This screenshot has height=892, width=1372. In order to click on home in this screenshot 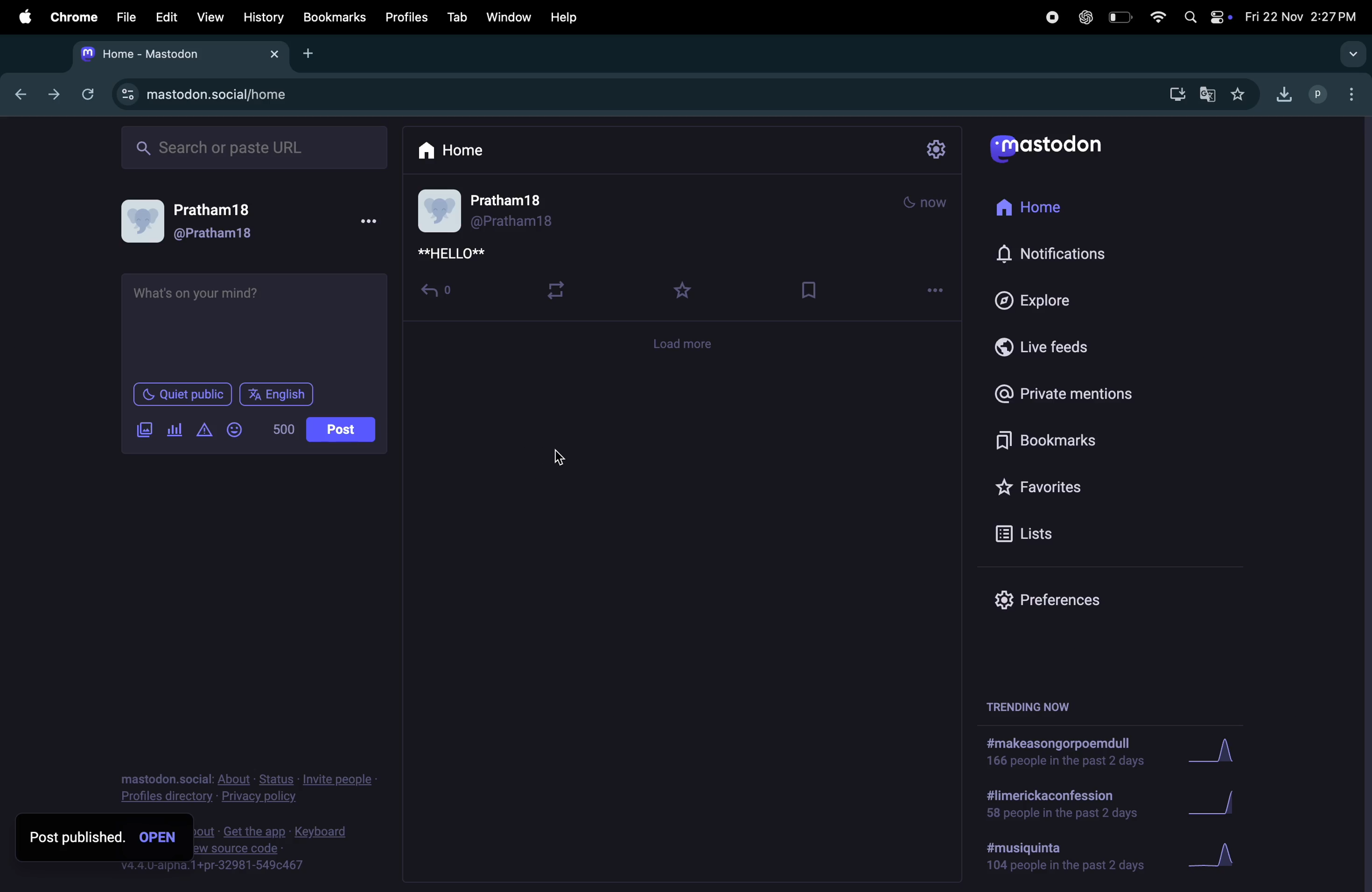, I will do `click(463, 150)`.